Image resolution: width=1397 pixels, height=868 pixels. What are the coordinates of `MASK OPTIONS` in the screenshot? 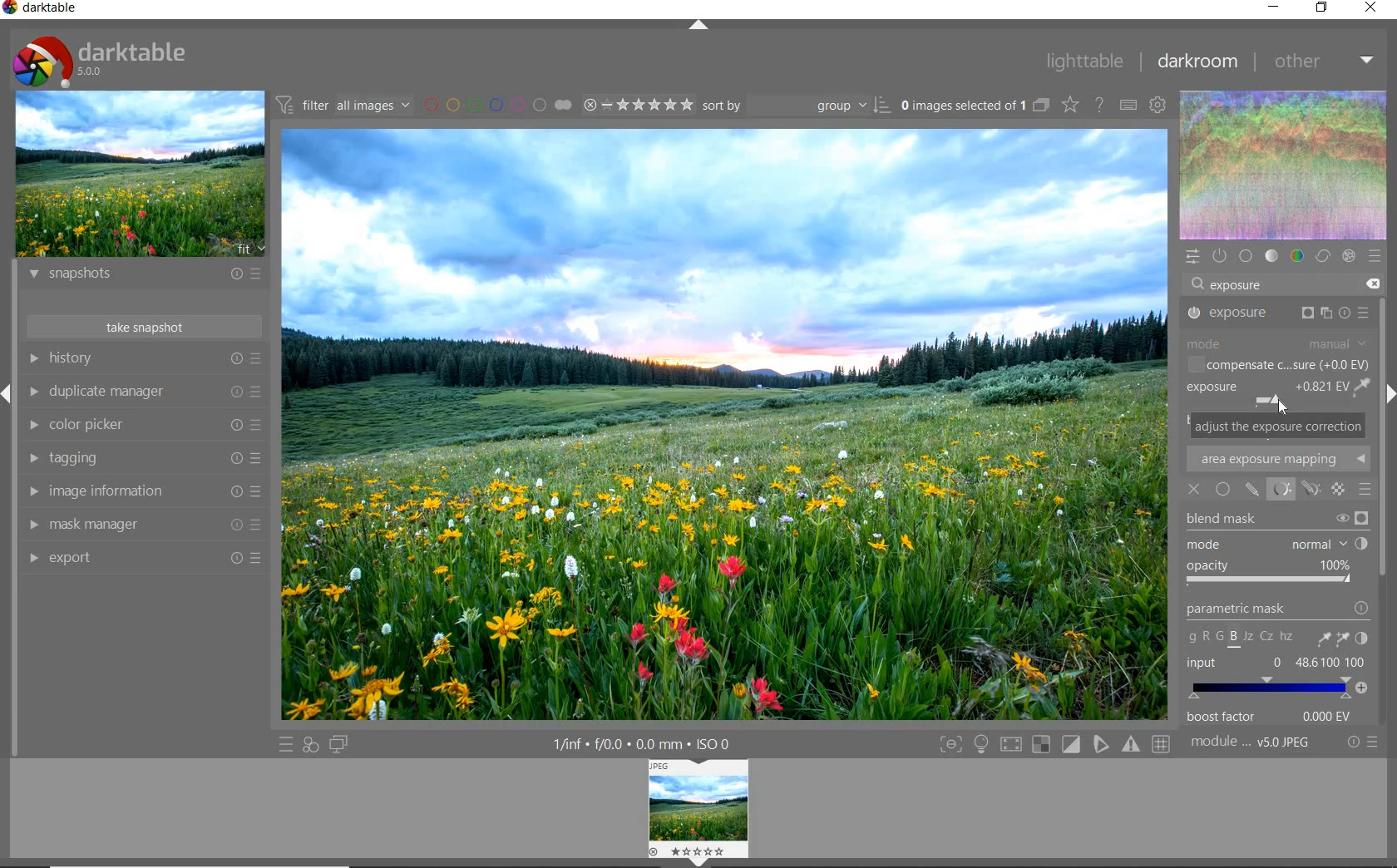 It's located at (1295, 490).